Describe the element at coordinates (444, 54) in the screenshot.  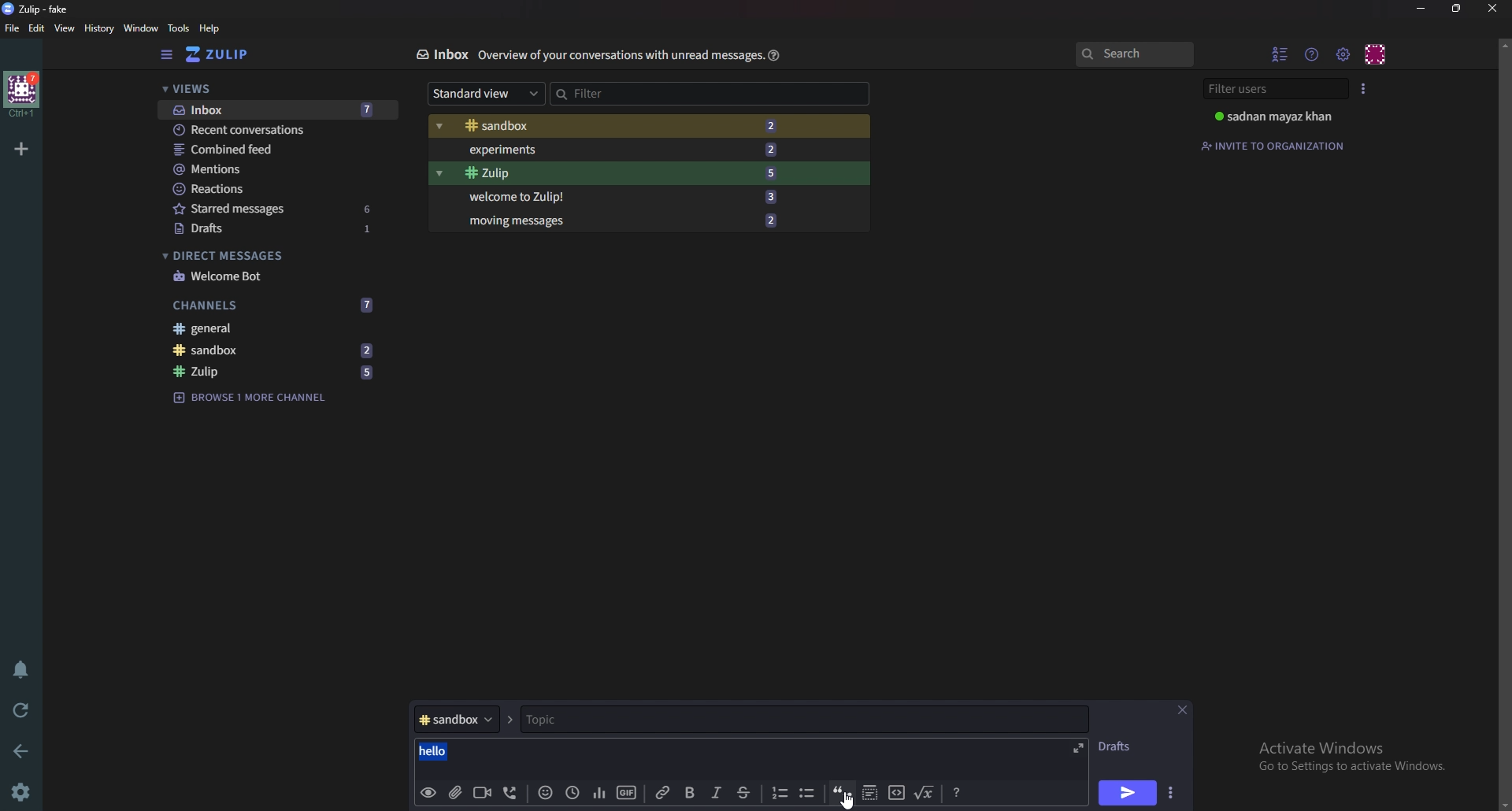
I see `Inbox` at that location.